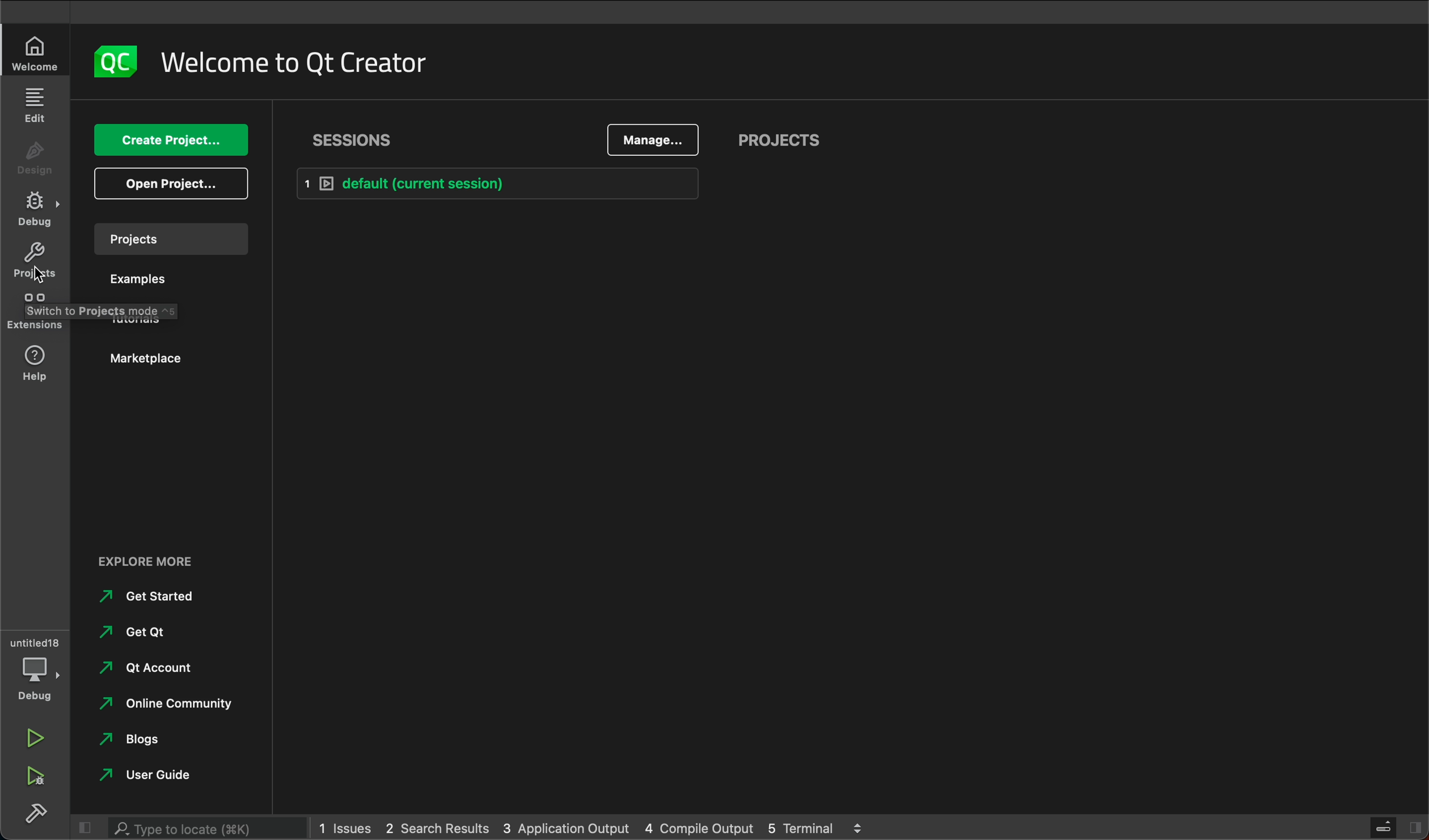 The width and height of the screenshot is (1429, 840). Describe the element at coordinates (1384, 828) in the screenshot. I see `close slidebar` at that location.